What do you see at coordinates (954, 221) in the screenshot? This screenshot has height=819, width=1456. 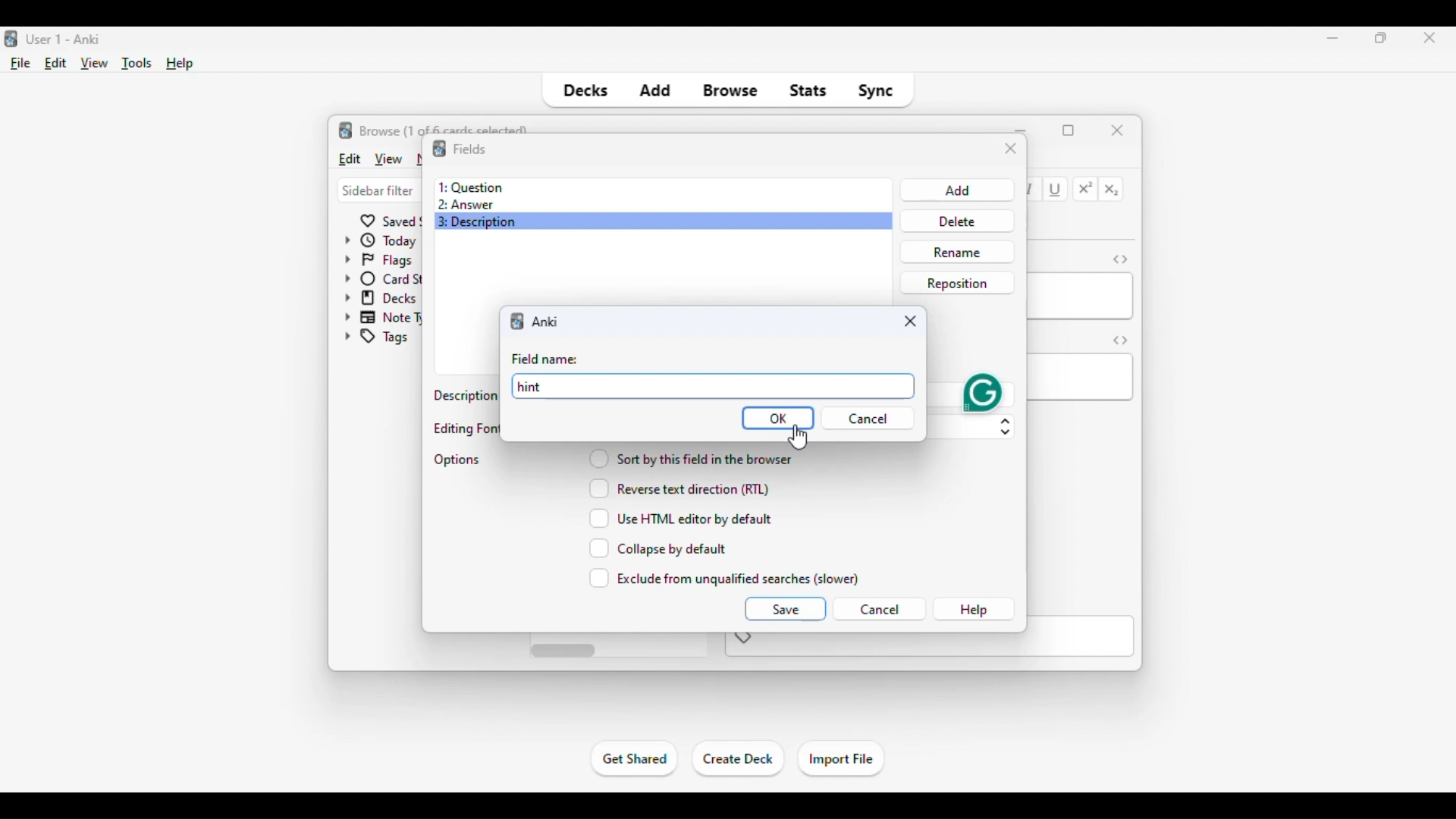 I see `delete` at bounding box center [954, 221].